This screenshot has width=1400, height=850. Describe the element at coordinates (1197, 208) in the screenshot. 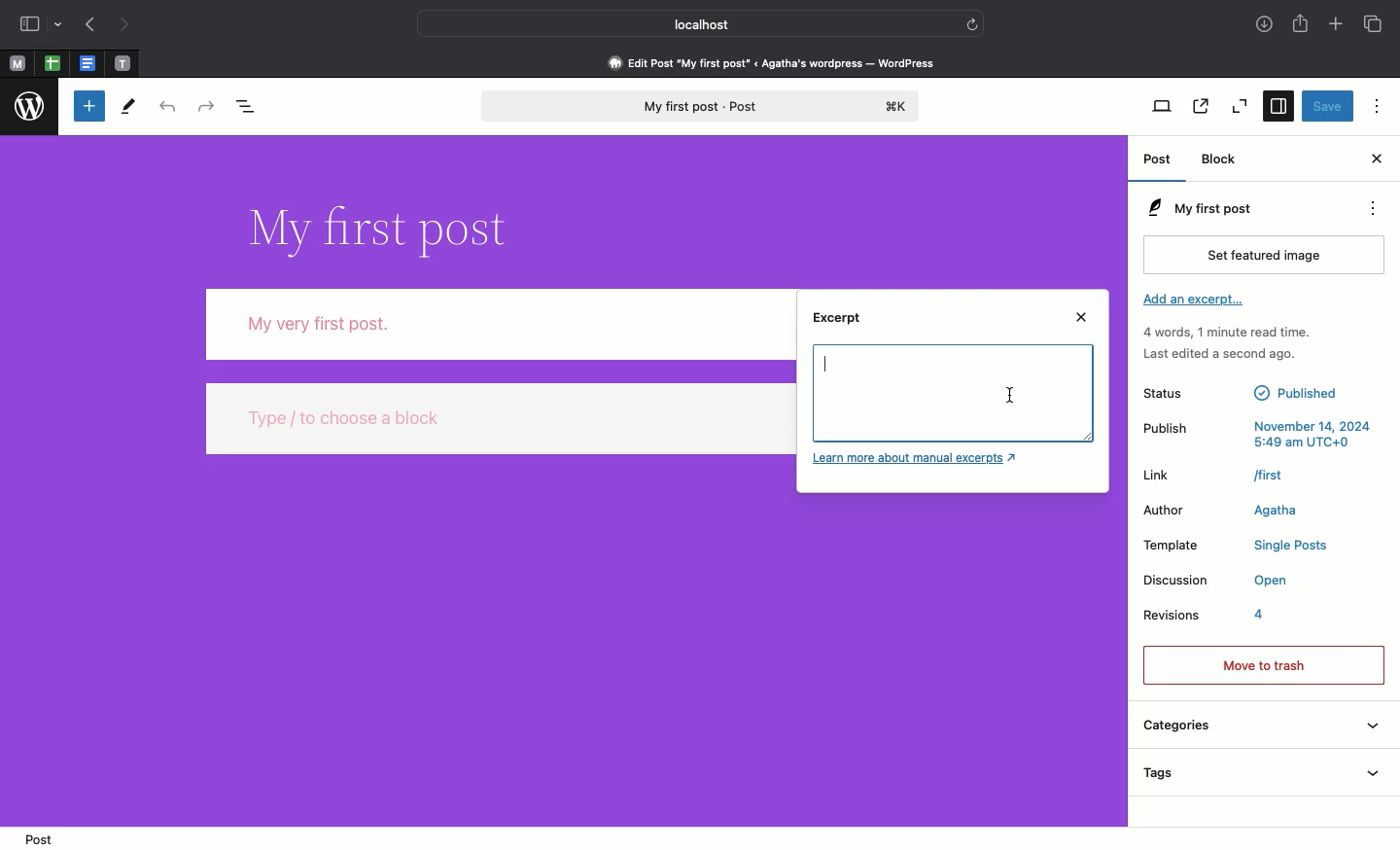

I see `My first post` at that location.